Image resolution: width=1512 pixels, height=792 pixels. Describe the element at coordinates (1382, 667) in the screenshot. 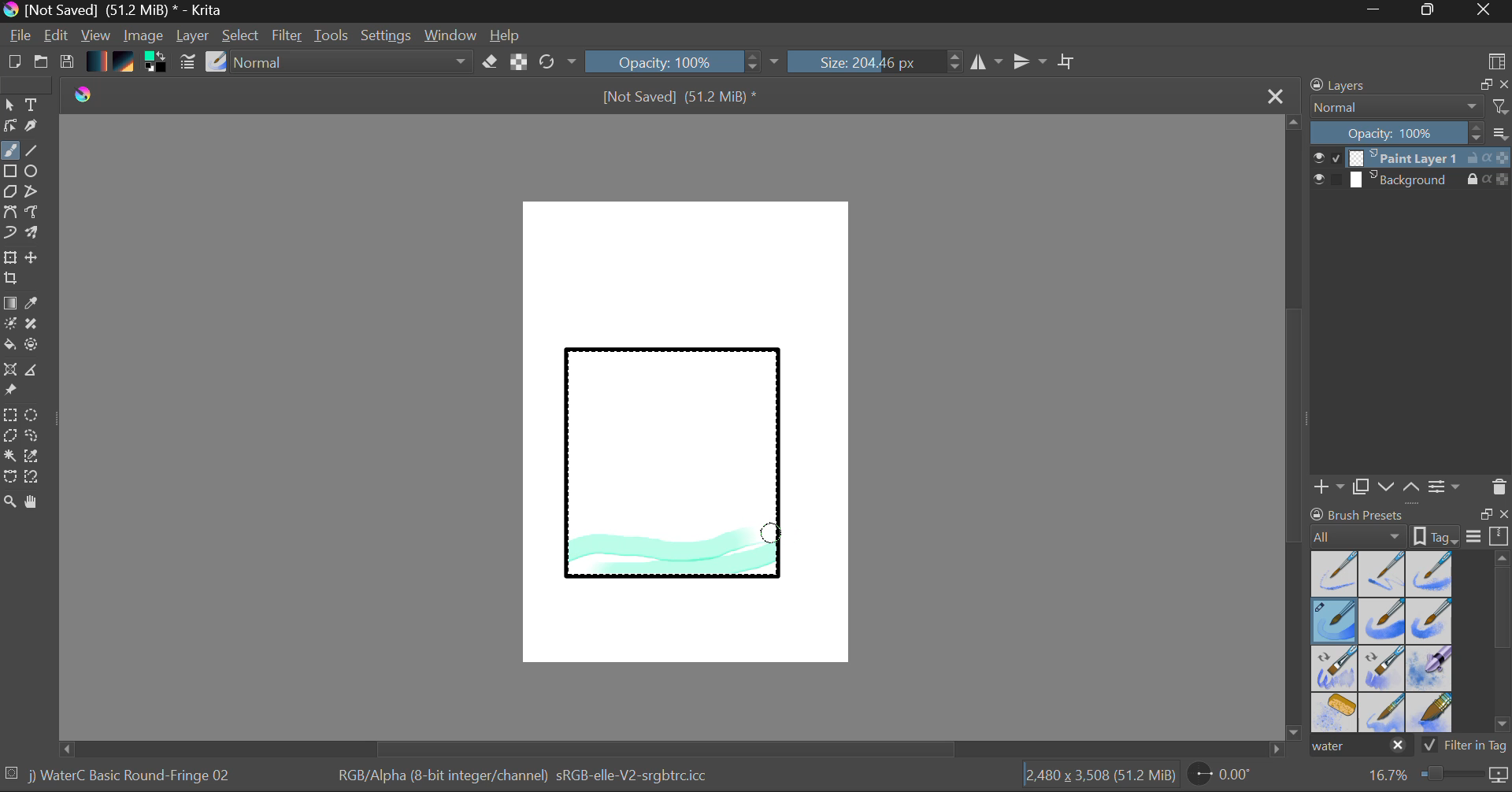

I see `Water C - Decay Tilt` at that location.